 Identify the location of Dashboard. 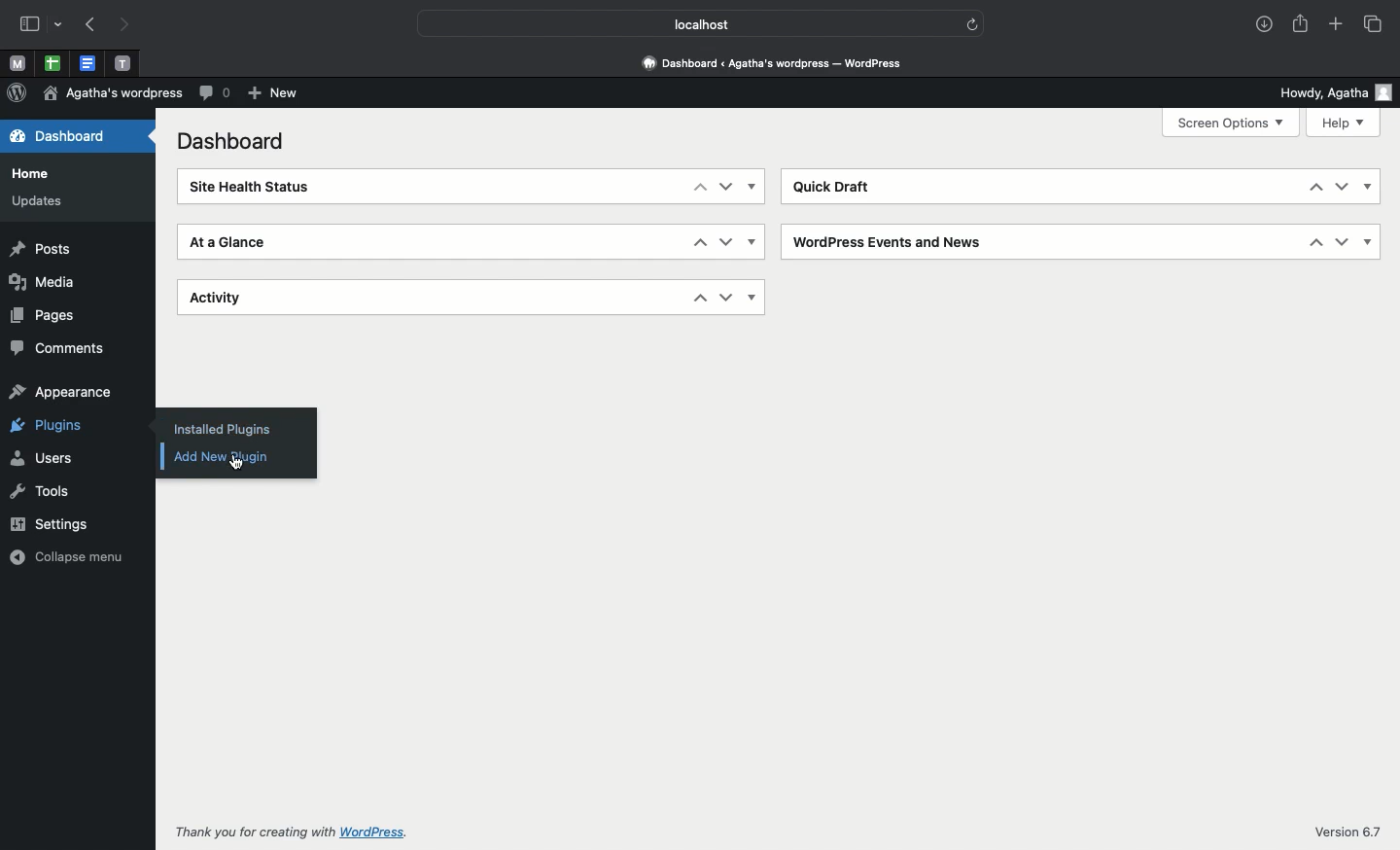
(229, 141).